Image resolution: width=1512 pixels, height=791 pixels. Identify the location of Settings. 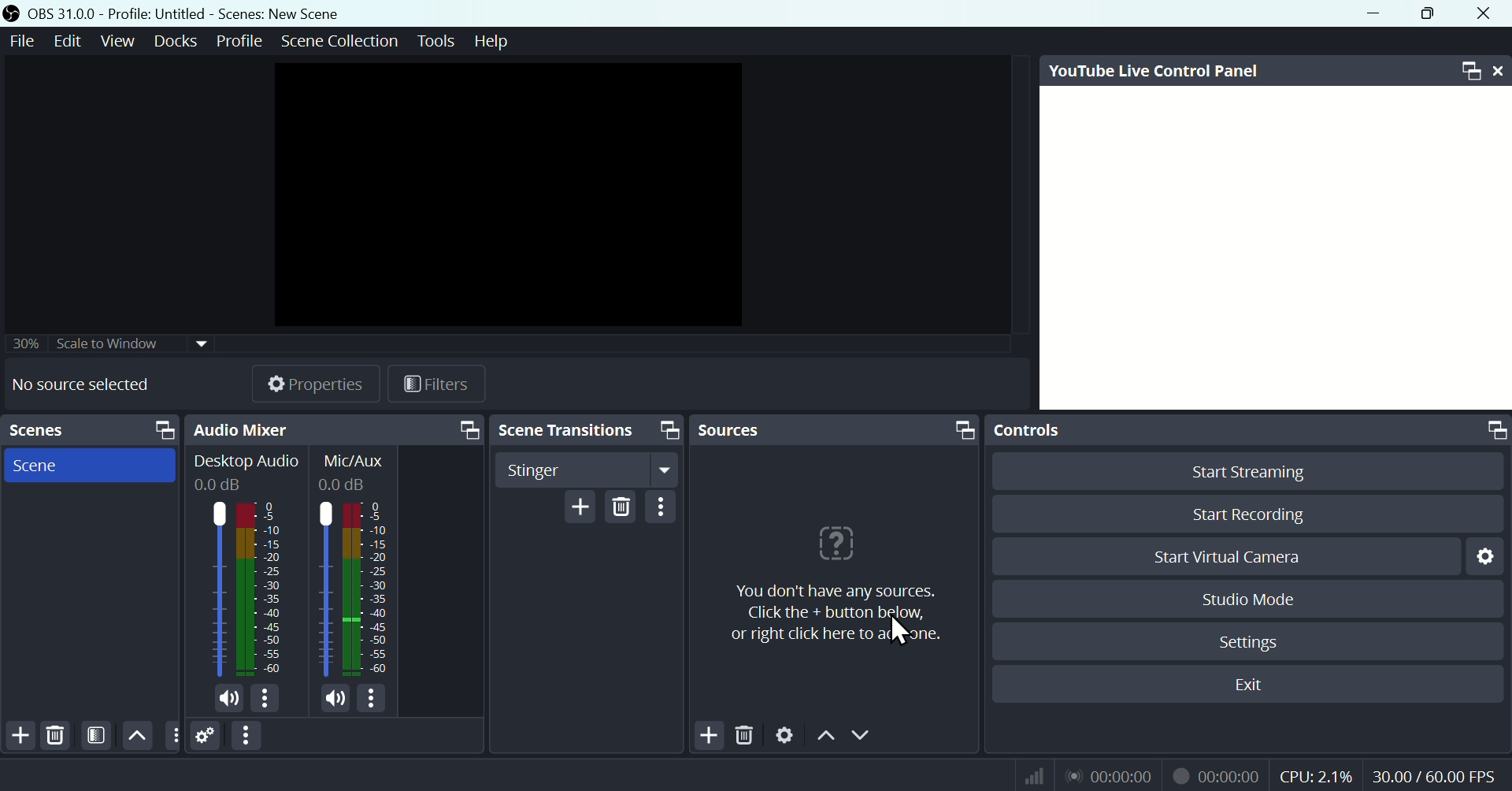
(1247, 640).